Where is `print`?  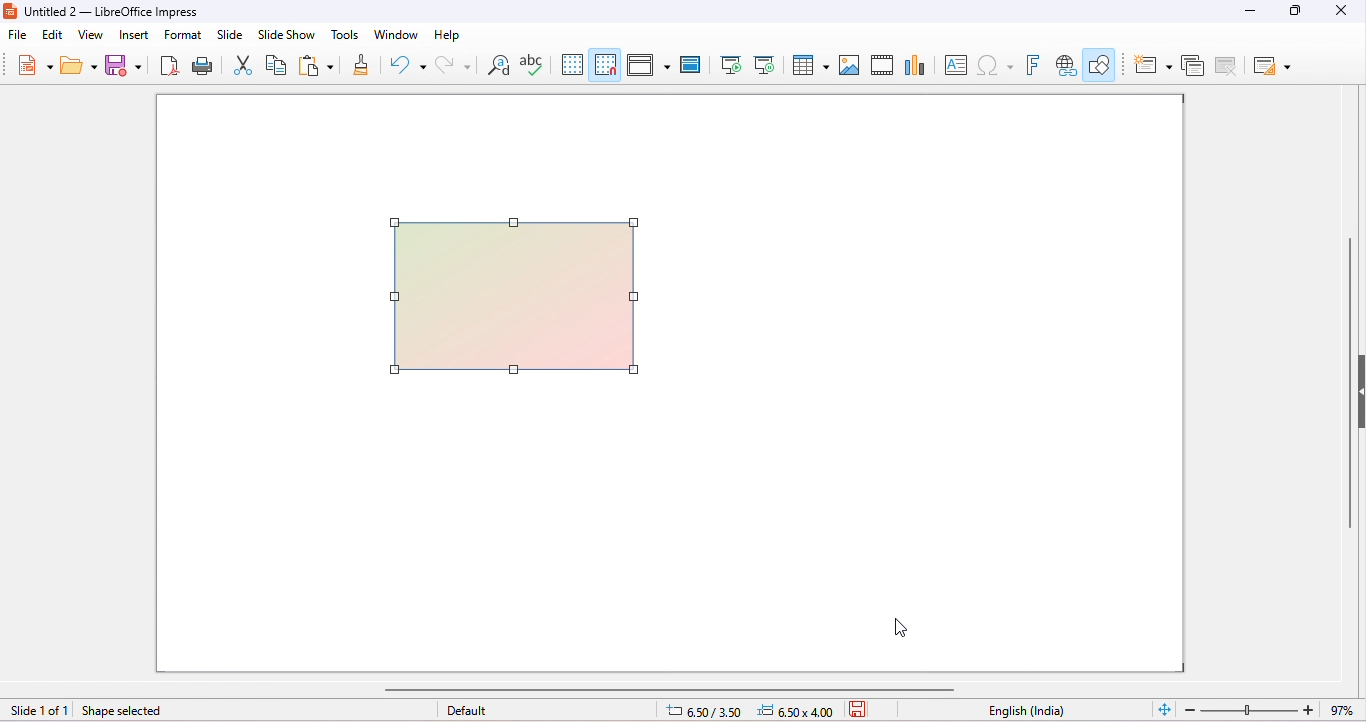
print is located at coordinates (201, 64).